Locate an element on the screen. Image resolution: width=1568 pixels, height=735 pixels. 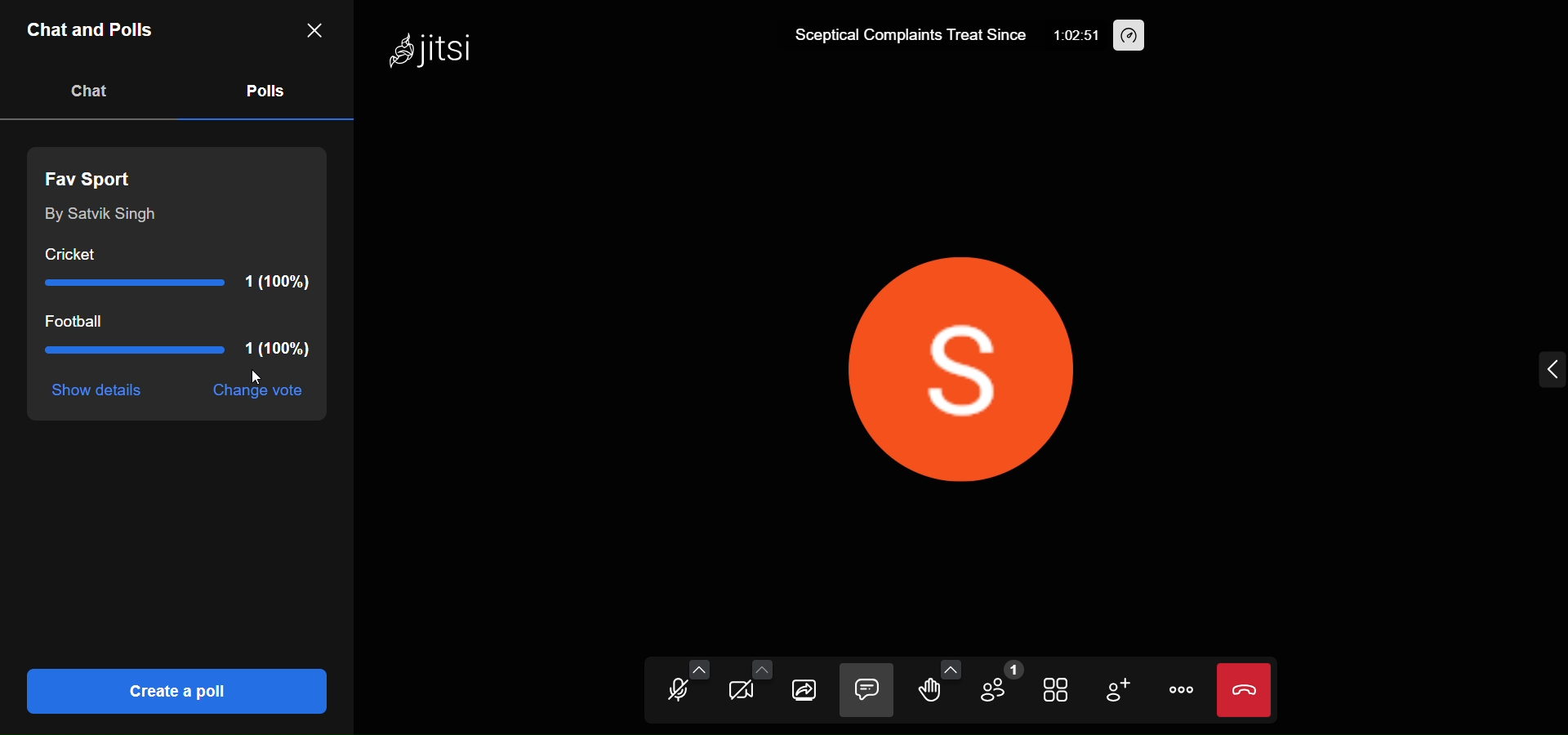
more camera option is located at coordinates (761, 671).